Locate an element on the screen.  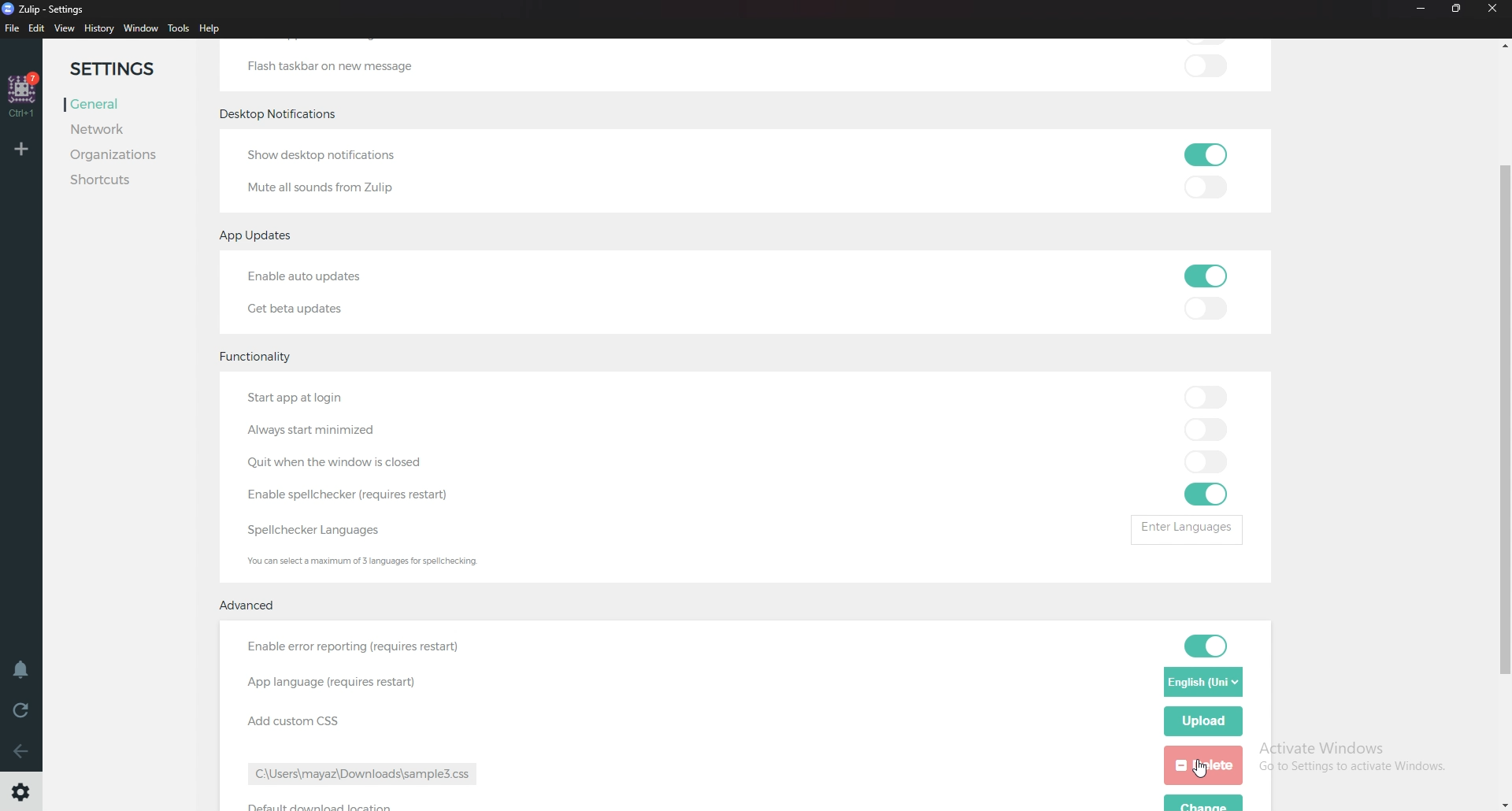
enter languages is located at coordinates (1184, 528).